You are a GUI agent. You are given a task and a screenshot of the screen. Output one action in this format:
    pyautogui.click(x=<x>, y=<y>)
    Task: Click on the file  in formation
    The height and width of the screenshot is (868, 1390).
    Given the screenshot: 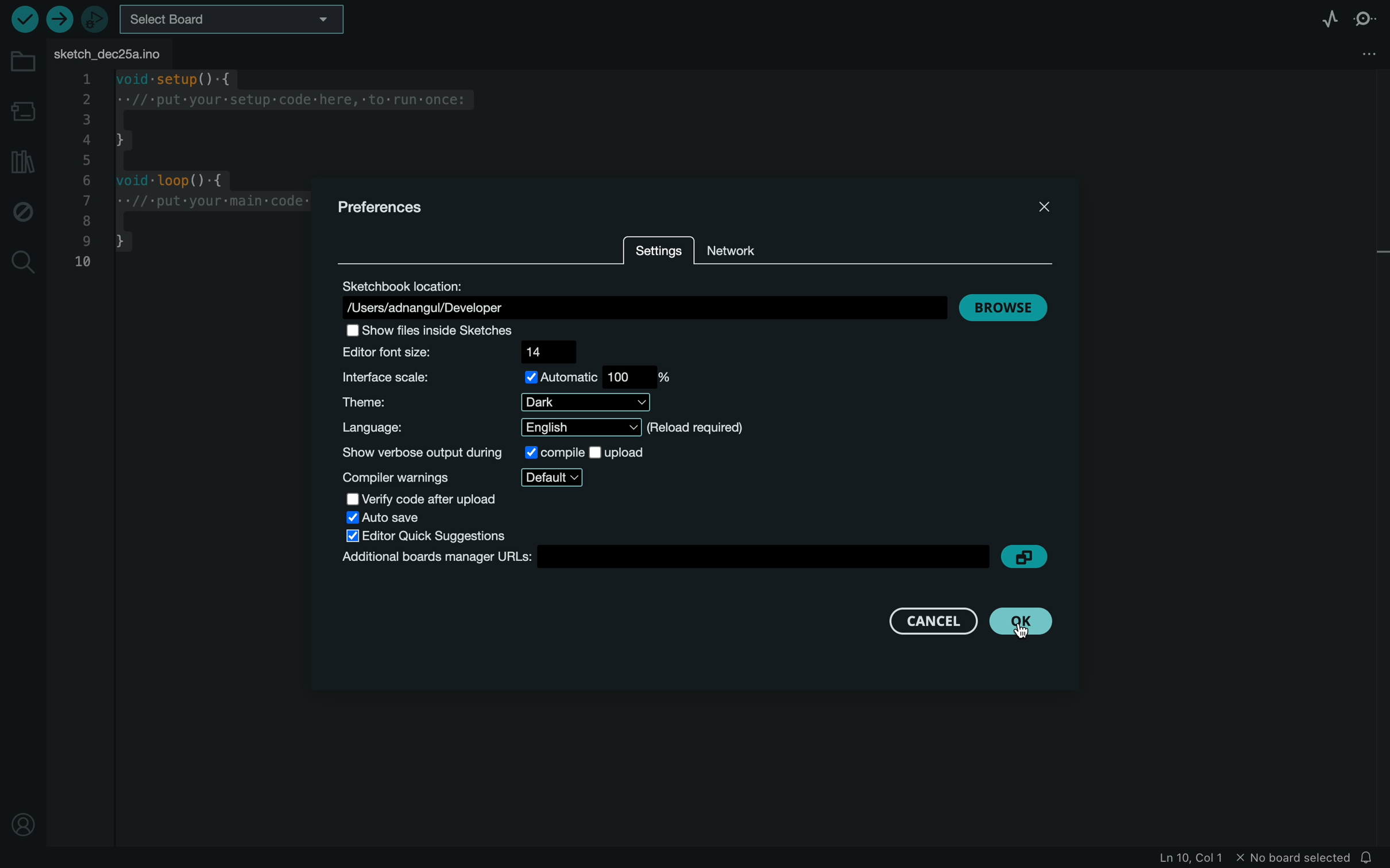 What is the action you would take?
    pyautogui.click(x=1239, y=856)
    